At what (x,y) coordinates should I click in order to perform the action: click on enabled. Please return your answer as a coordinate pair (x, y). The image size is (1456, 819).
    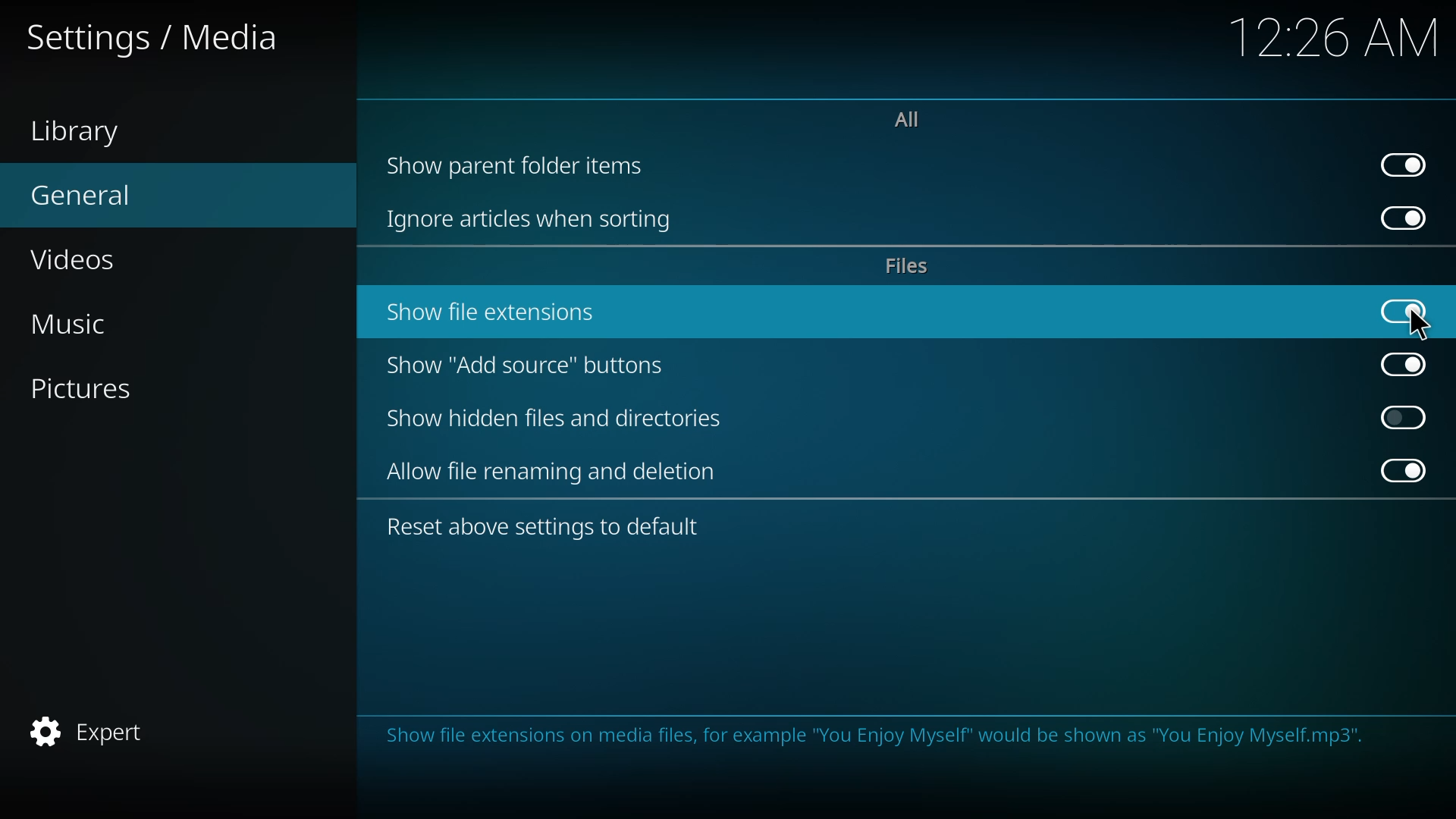
    Looking at the image, I should click on (1407, 311).